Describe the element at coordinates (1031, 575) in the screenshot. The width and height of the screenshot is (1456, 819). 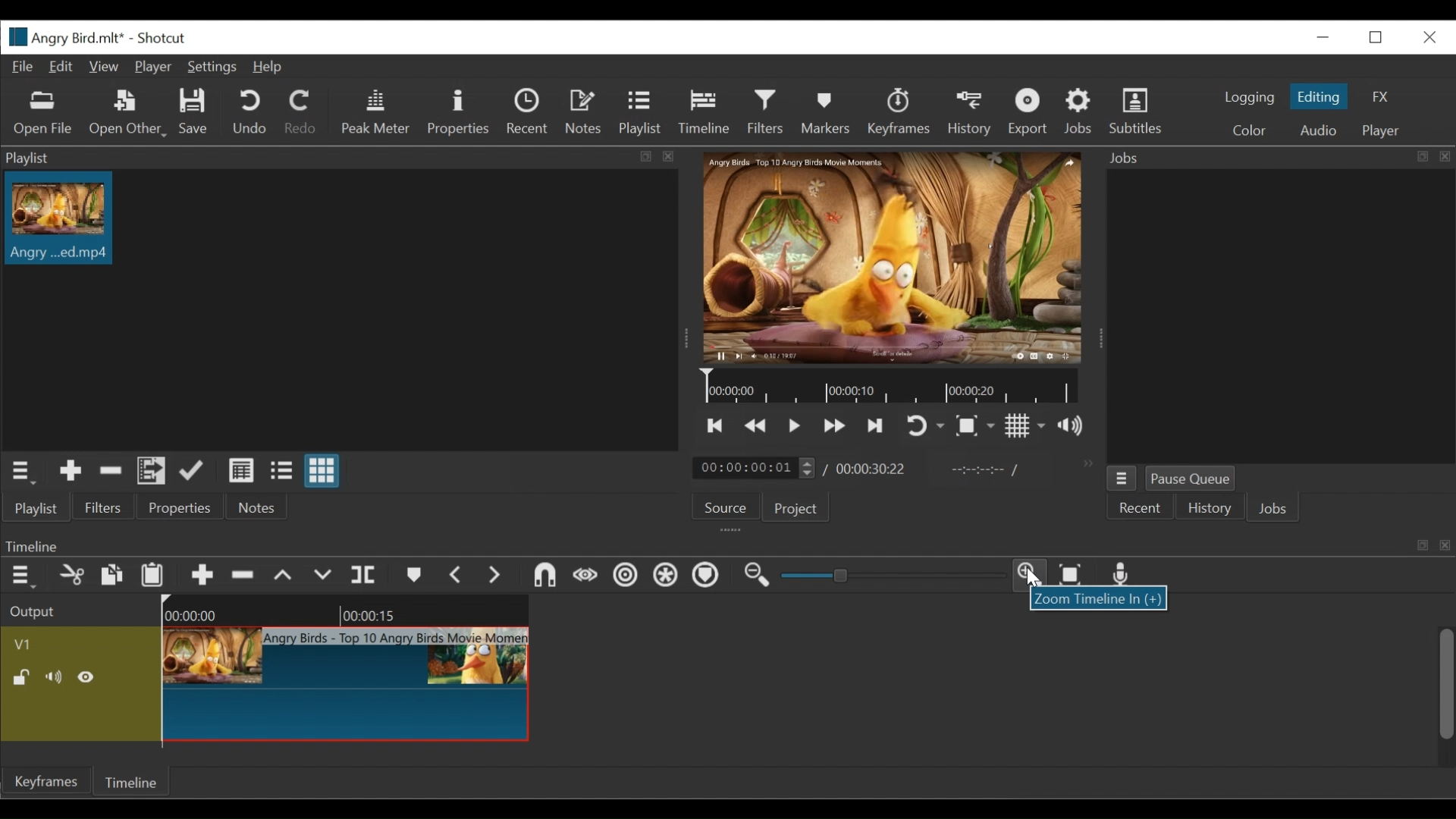
I see `Zoom timeline in` at that location.